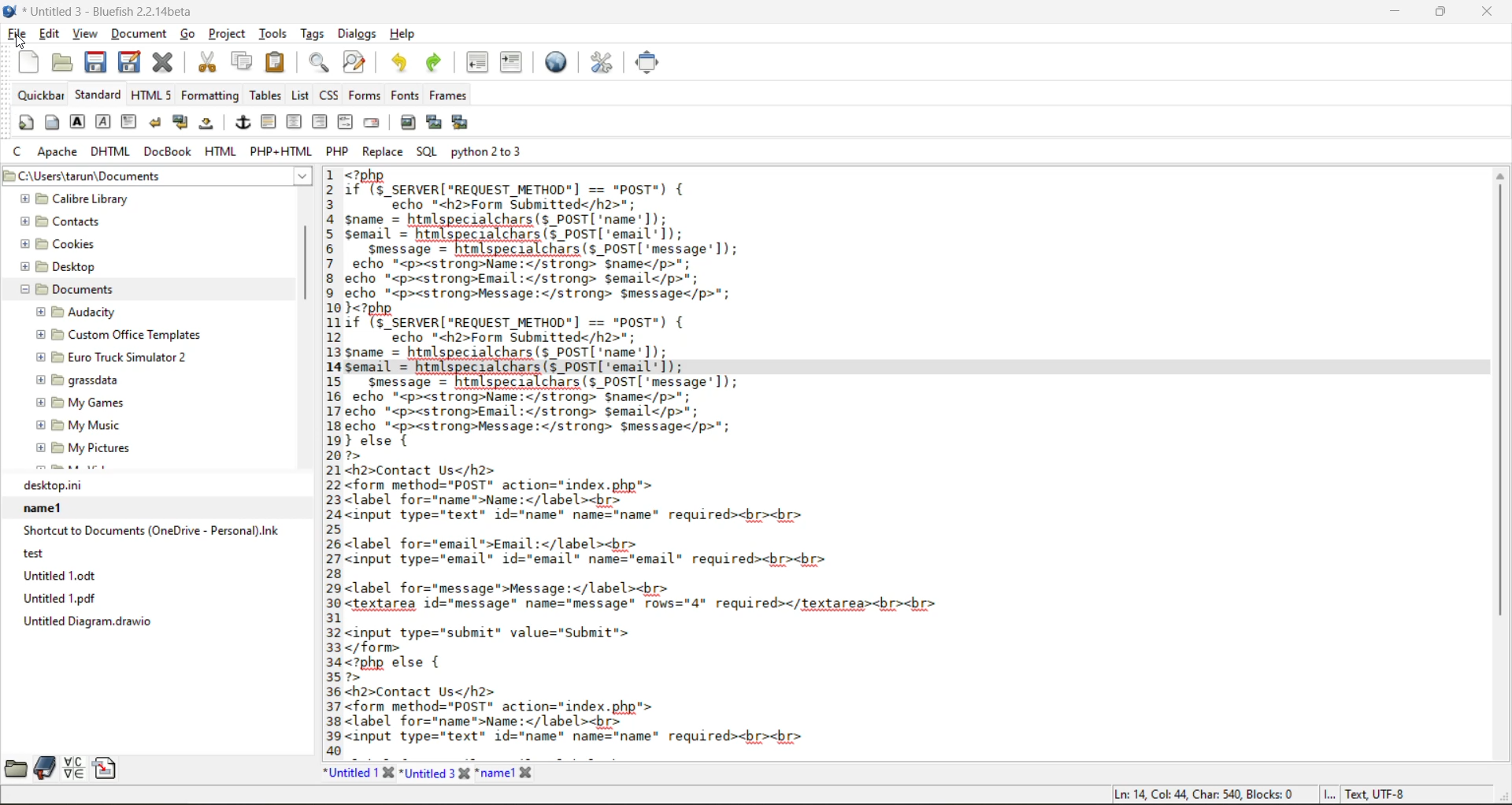 This screenshot has width=1512, height=805. What do you see at coordinates (153, 507) in the screenshot?
I see `name1` at bounding box center [153, 507].